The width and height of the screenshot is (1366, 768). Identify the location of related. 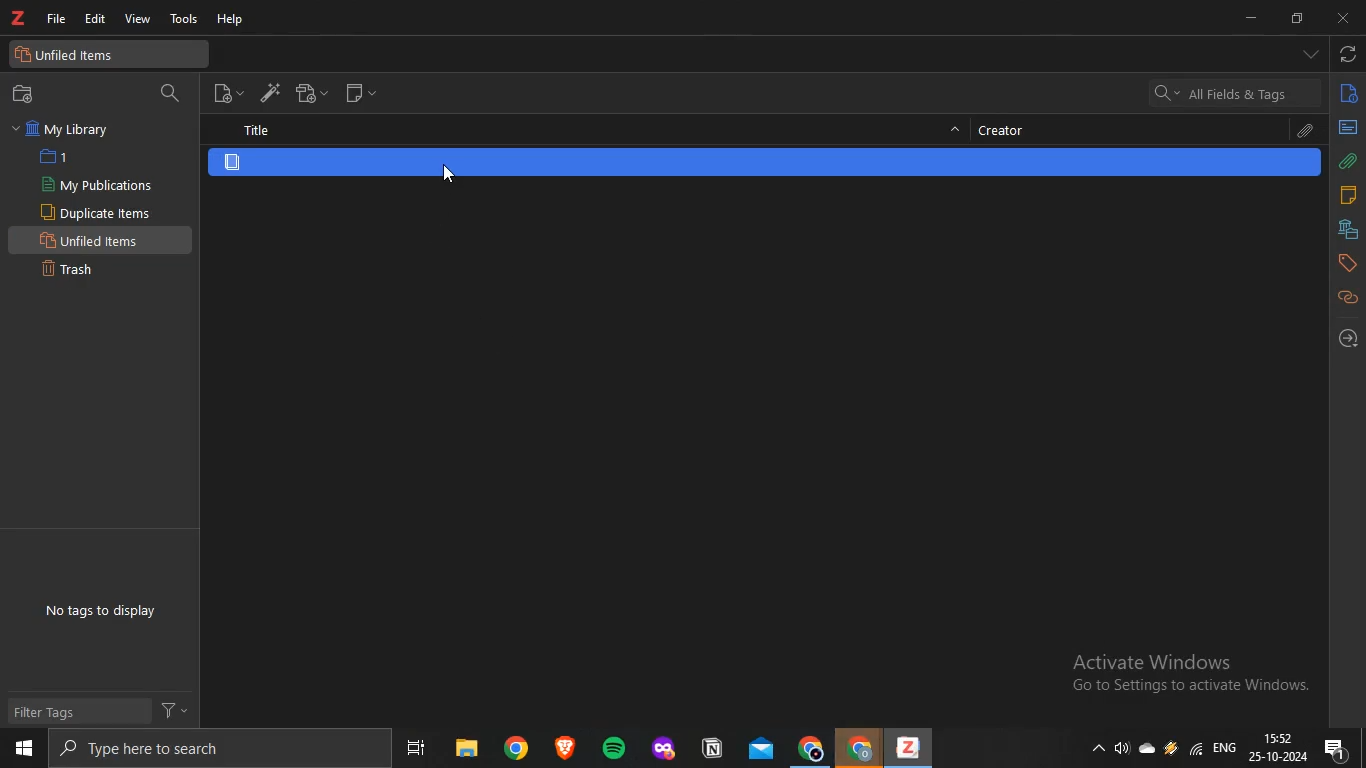
(1347, 298).